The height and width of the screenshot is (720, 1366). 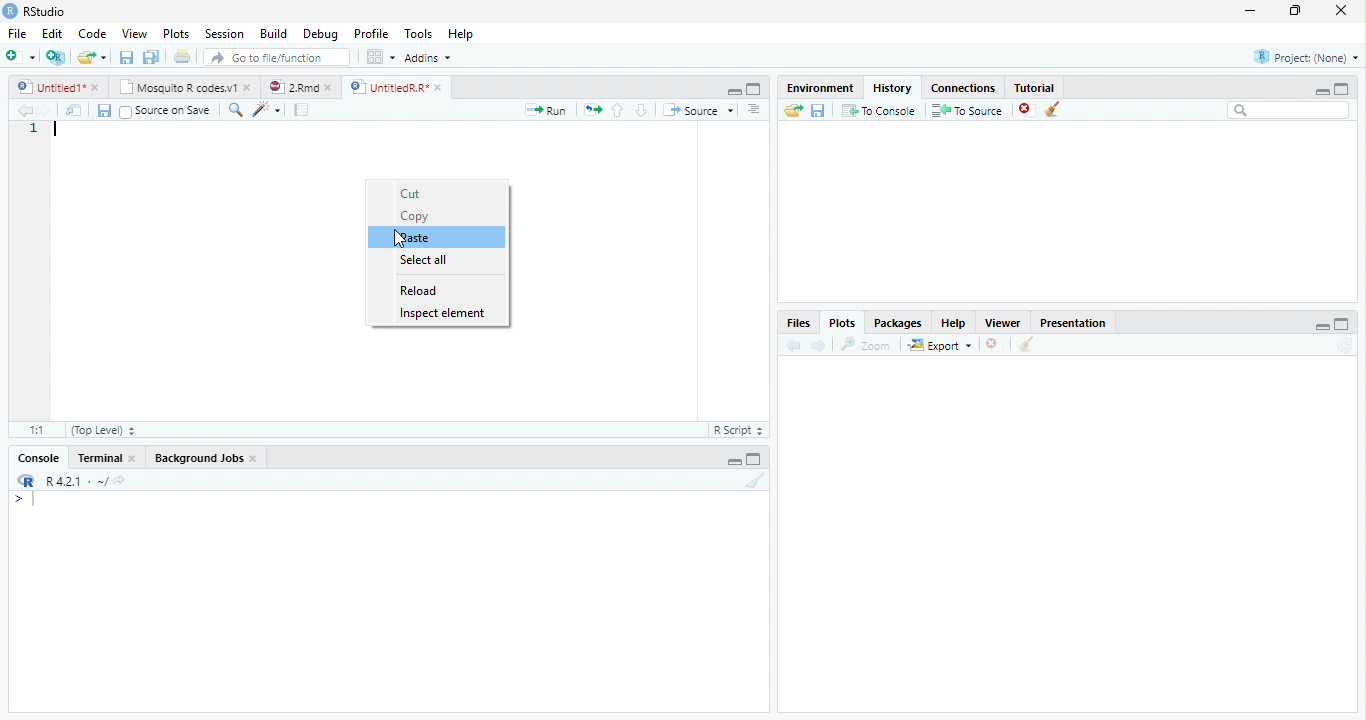 What do you see at coordinates (754, 111) in the screenshot?
I see `Document outline` at bounding box center [754, 111].